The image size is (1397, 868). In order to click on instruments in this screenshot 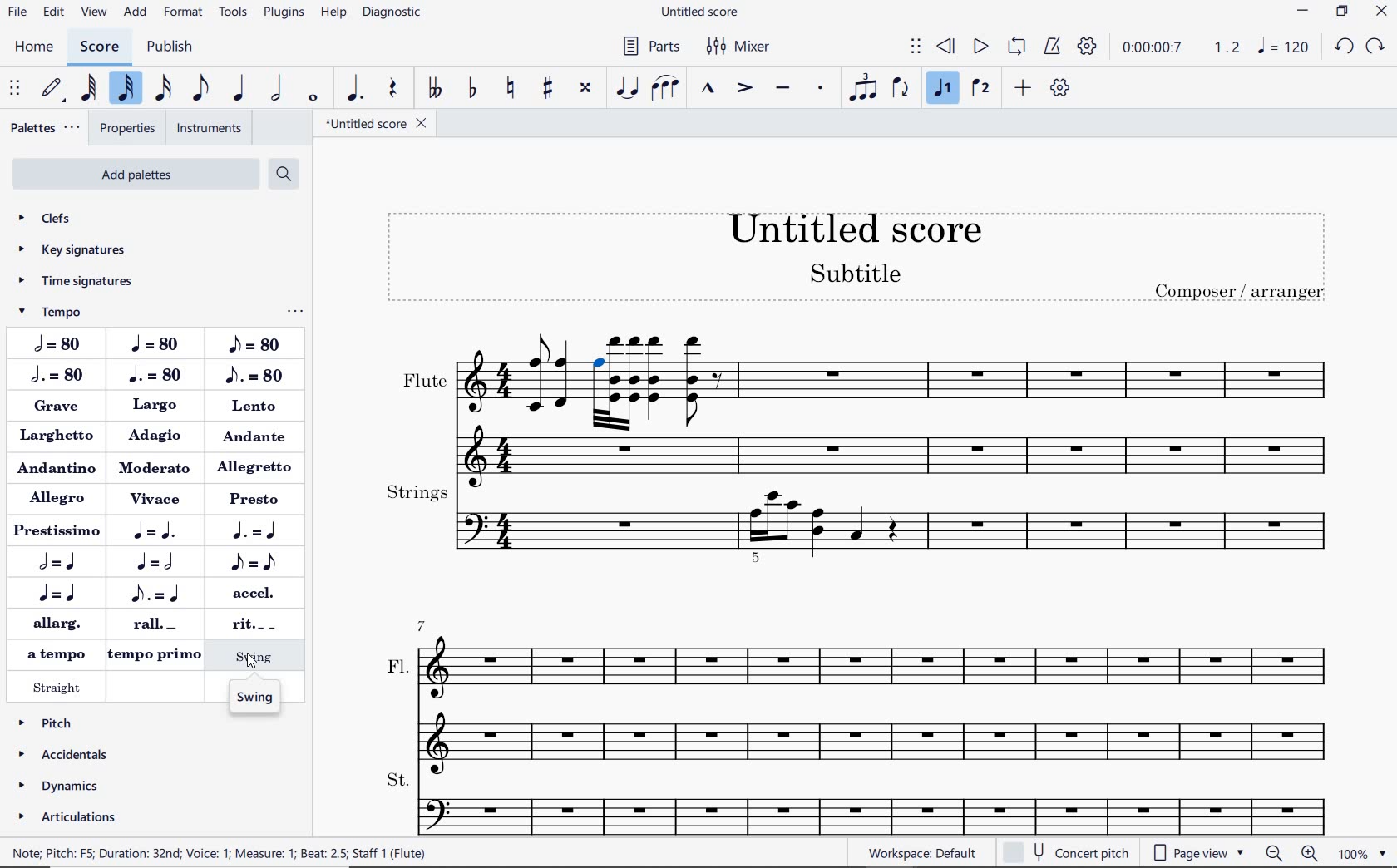, I will do `click(205, 129)`.